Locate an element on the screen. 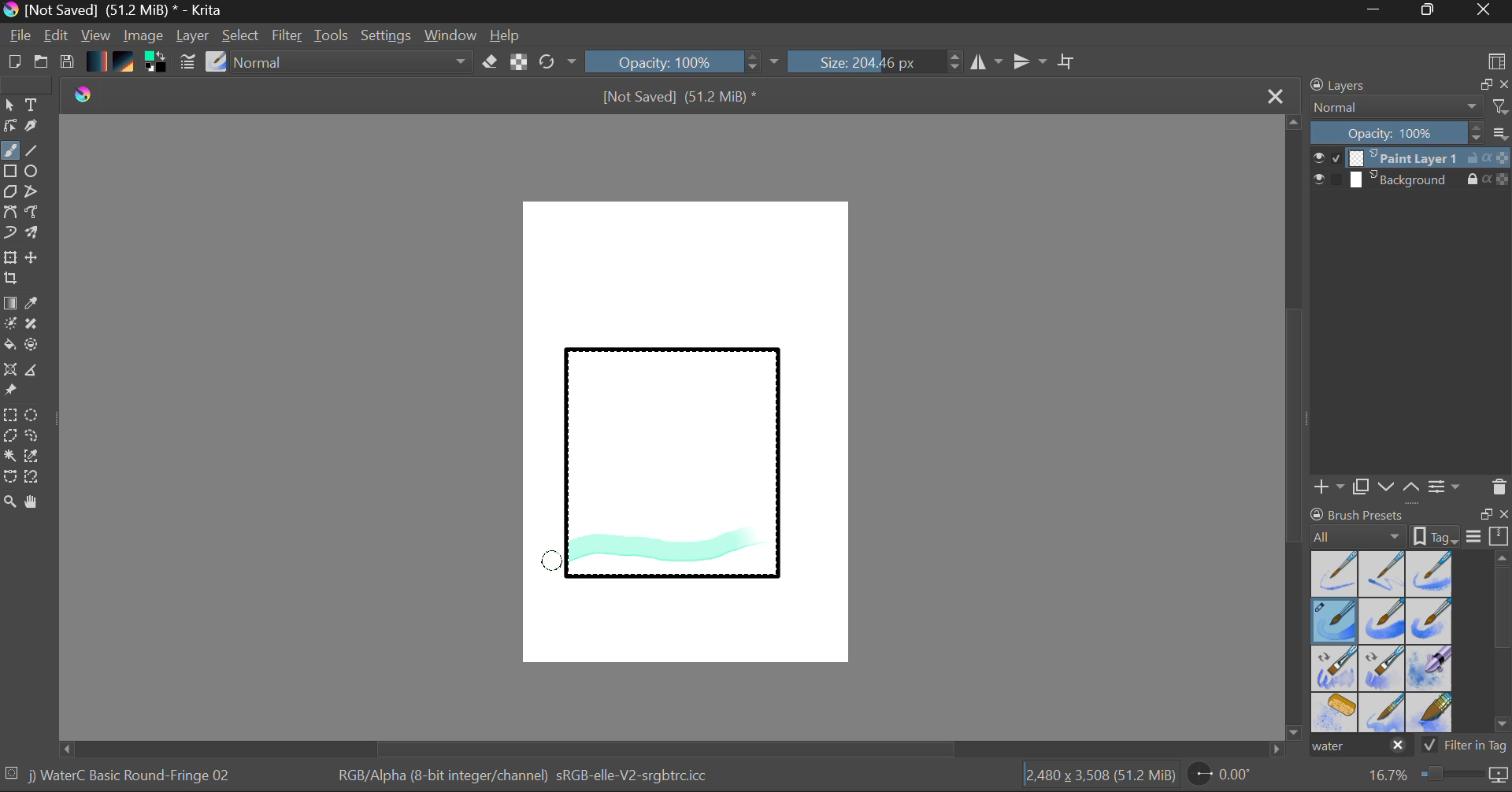 The height and width of the screenshot is (792, 1512). File is located at coordinates (20, 38).